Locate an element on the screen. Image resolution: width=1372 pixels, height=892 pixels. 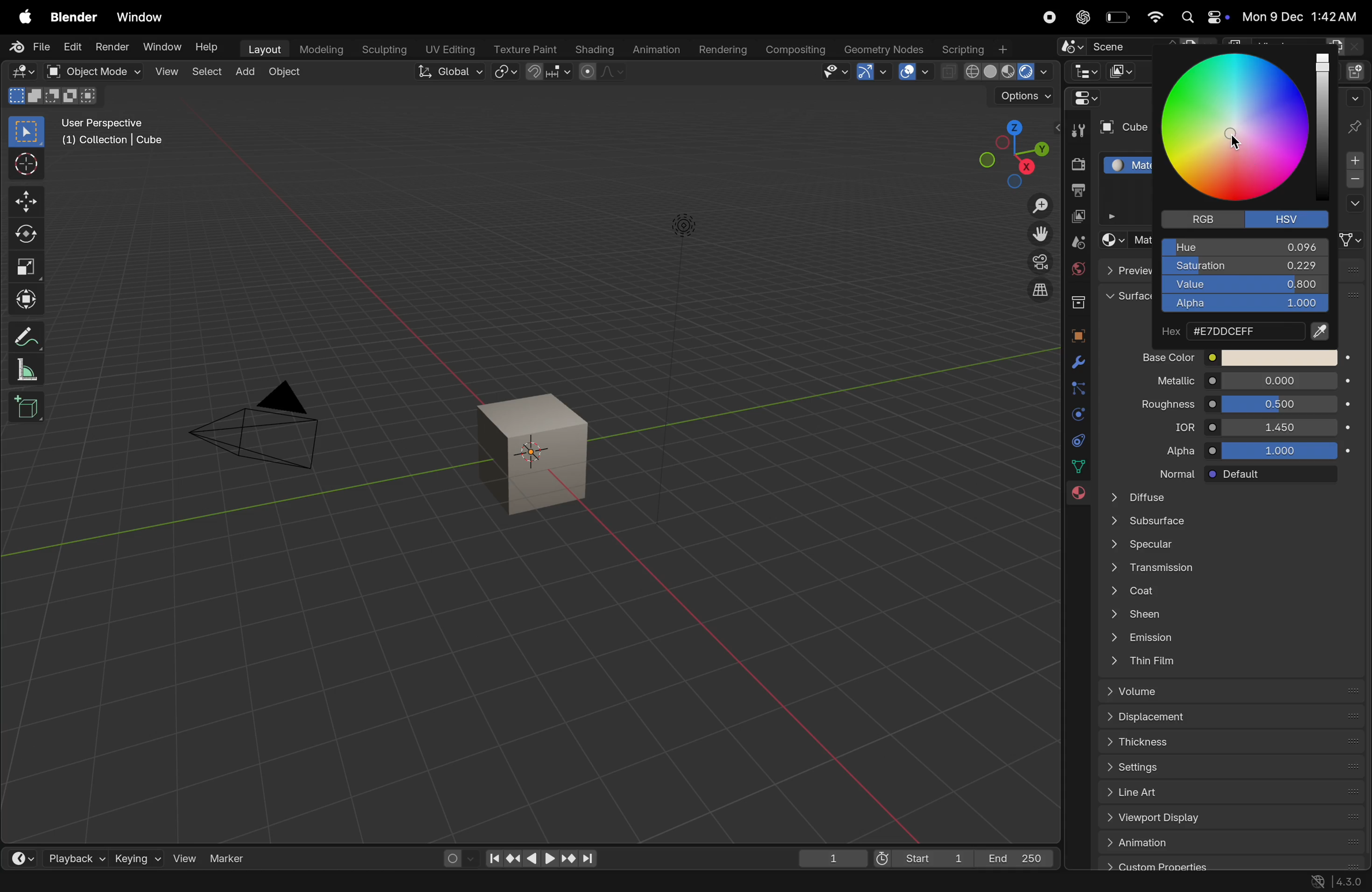
volume is located at coordinates (1227, 691).